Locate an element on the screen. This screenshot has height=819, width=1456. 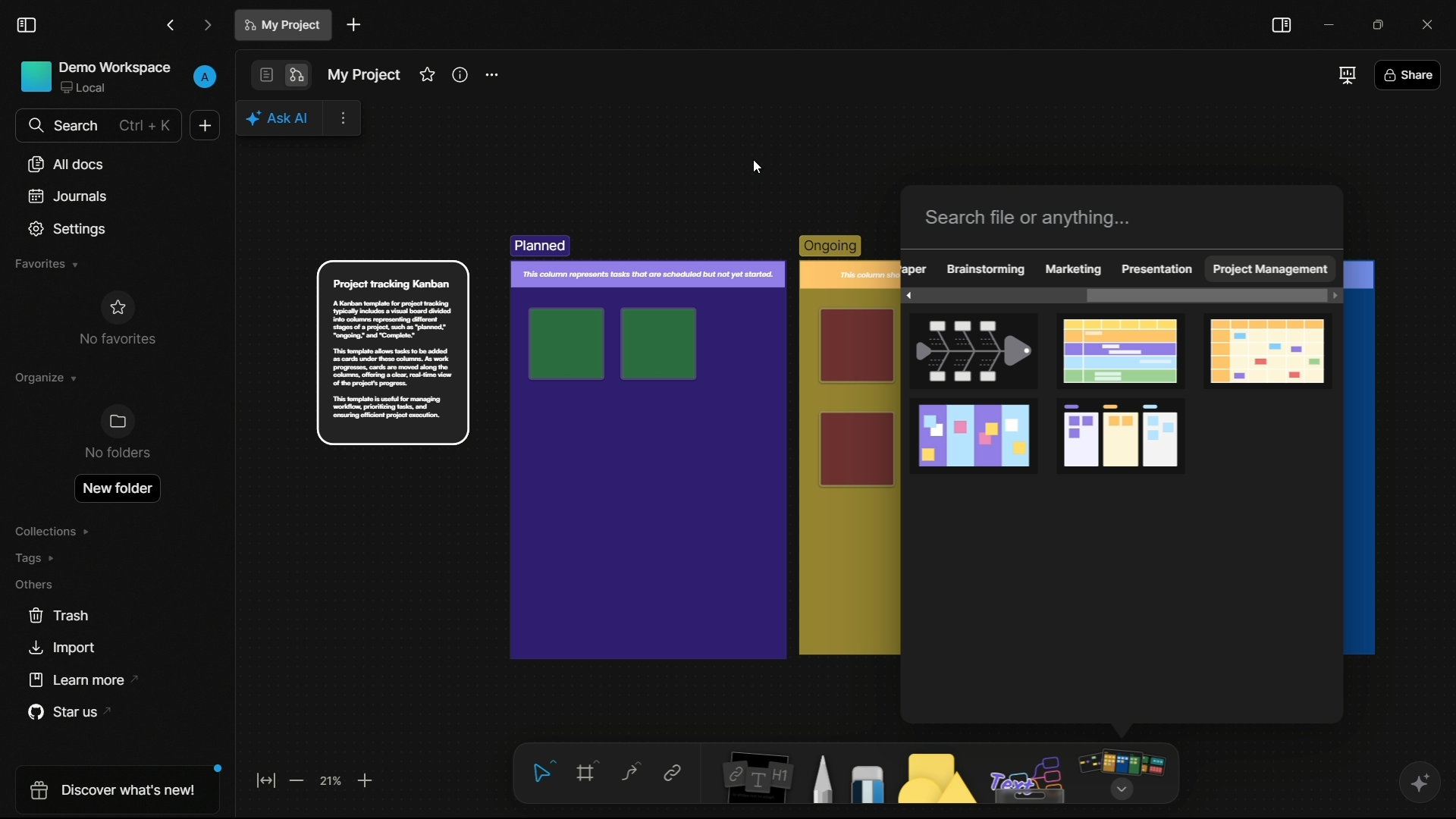
profile icon is located at coordinates (206, 74).